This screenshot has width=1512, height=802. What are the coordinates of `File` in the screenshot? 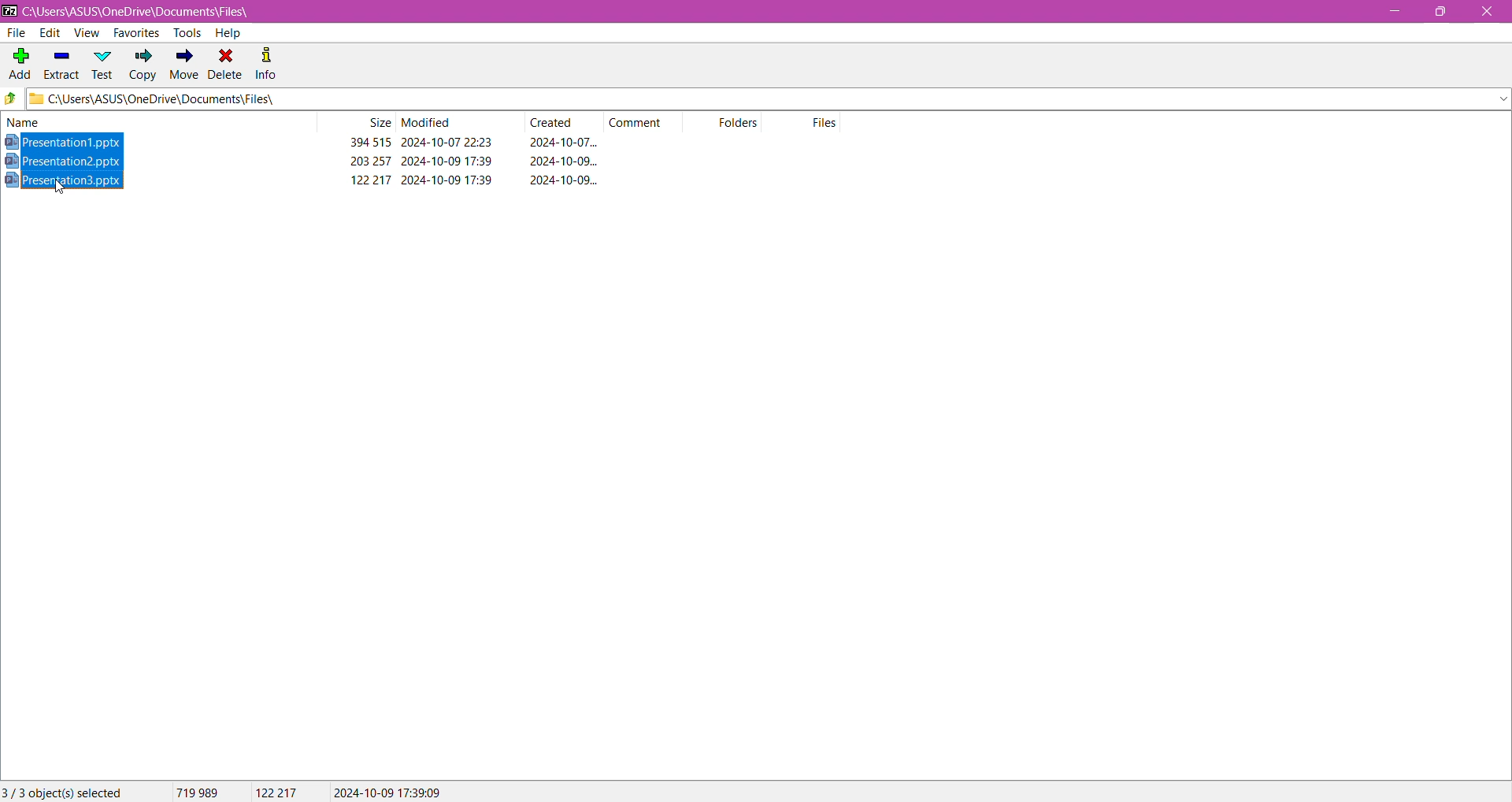 It's located at (18, 33).